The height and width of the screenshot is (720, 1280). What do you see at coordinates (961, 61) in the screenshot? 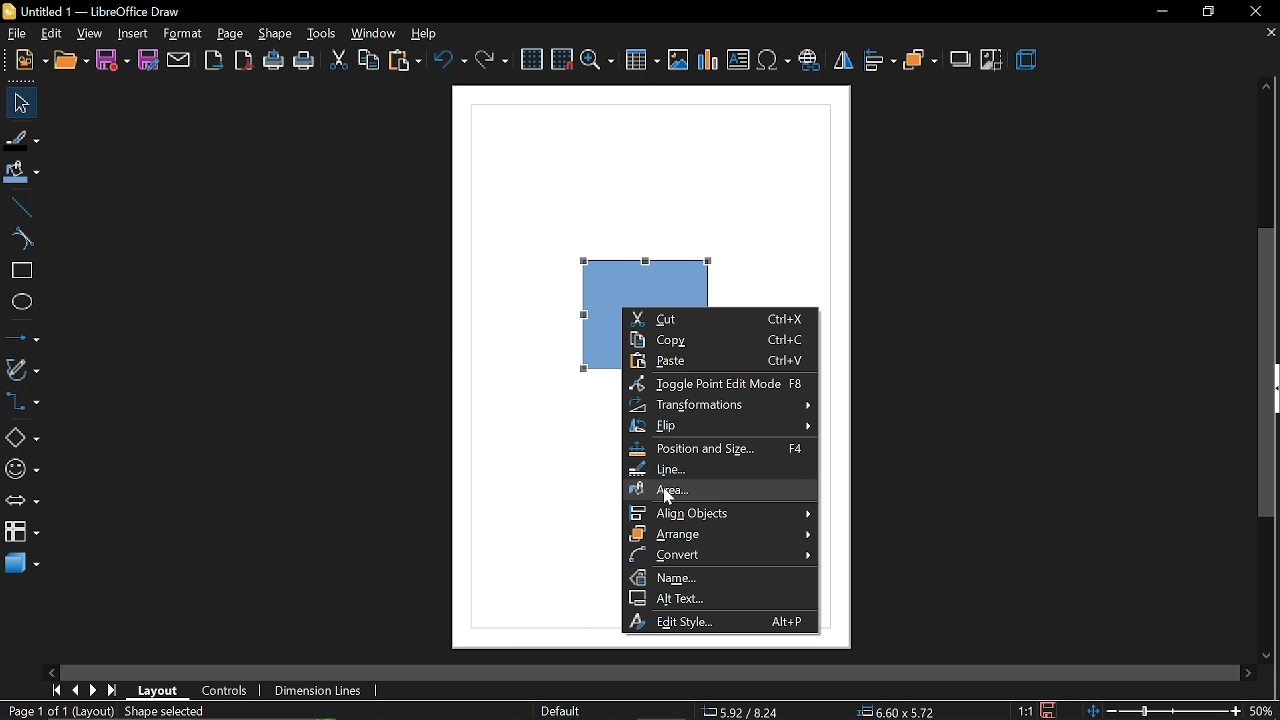
I see `shadow` at bounding box center [961, 61].